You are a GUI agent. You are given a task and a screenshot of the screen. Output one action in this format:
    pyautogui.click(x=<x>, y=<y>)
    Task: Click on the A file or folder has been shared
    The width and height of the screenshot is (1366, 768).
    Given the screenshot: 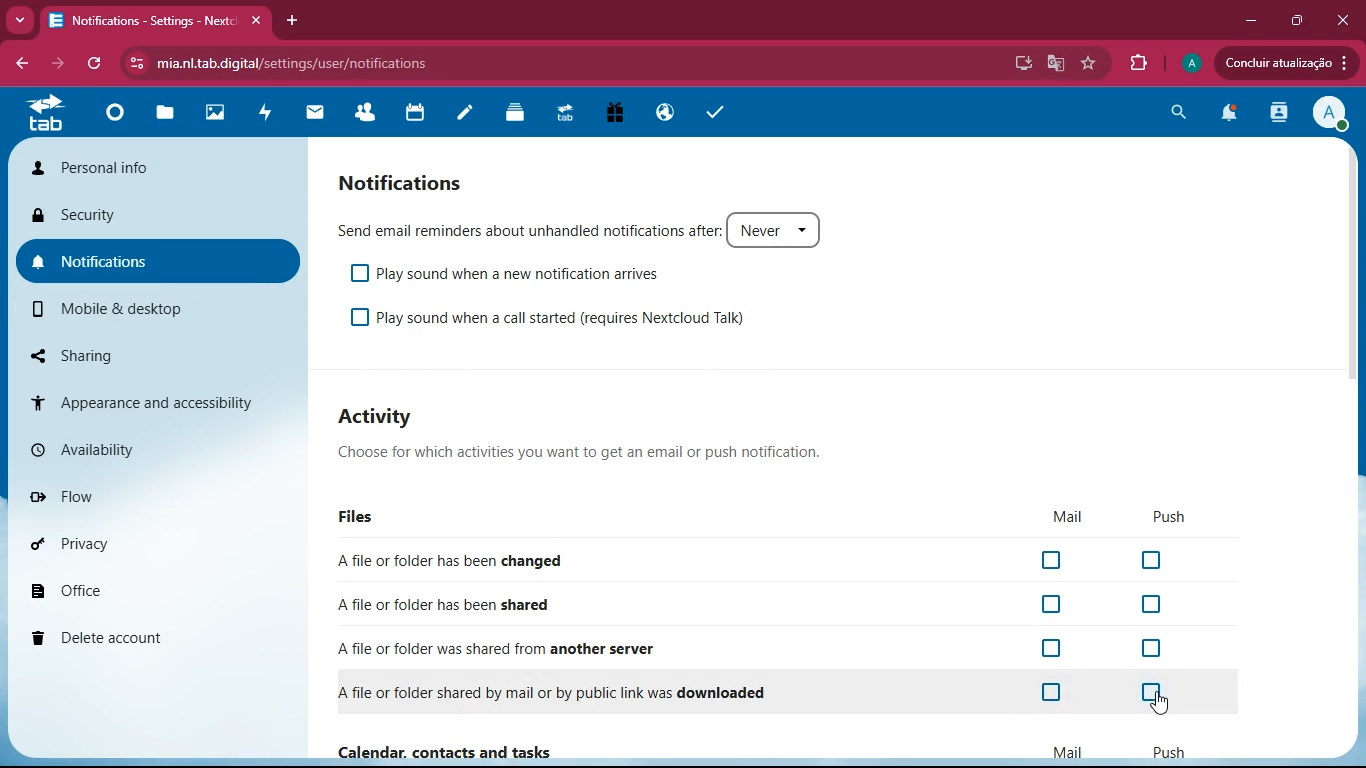 What is the action you would take?
    pyautogui.click(x=448, y=603)
    